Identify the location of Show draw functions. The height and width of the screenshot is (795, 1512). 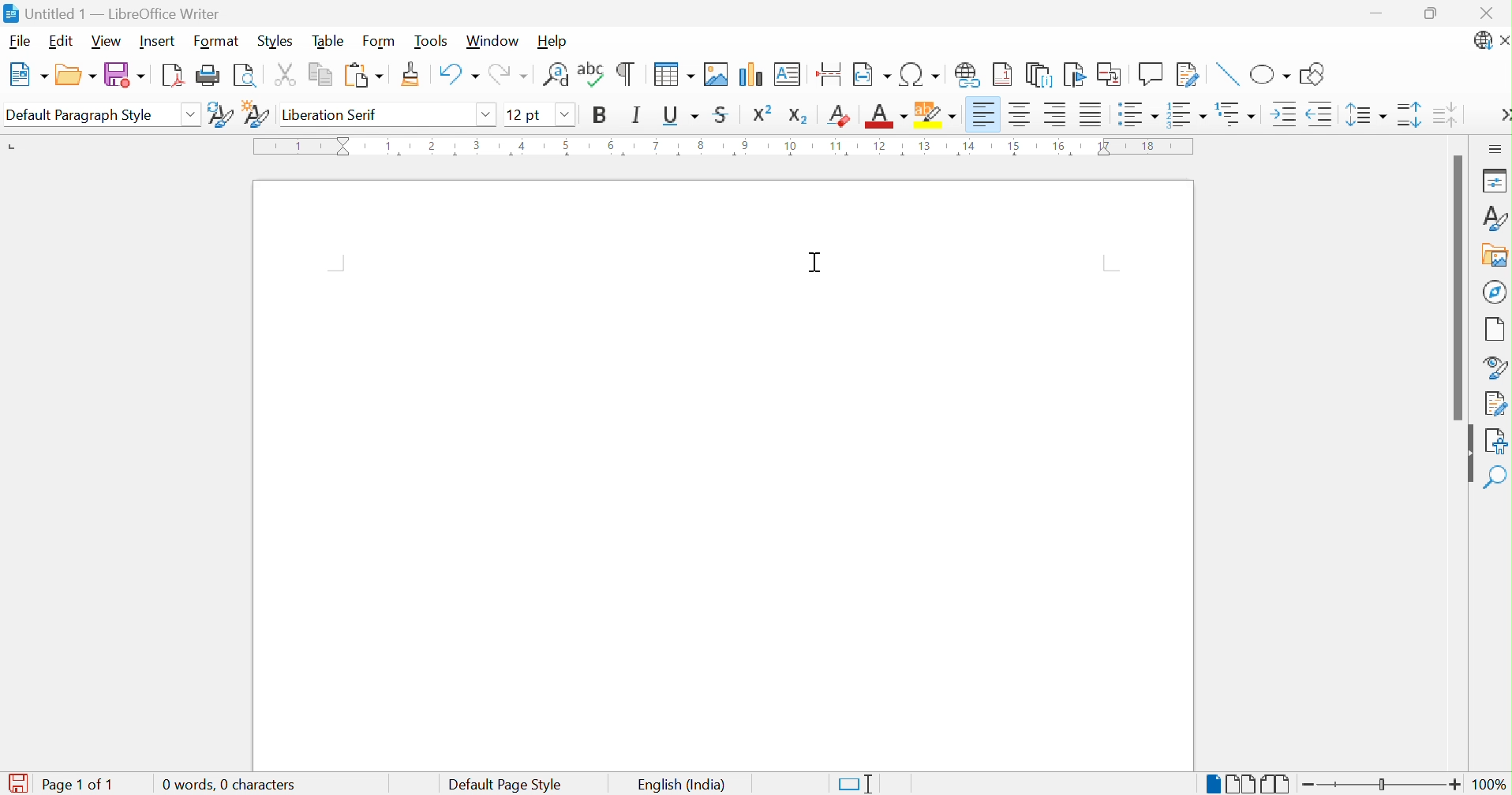
(1311, 75).